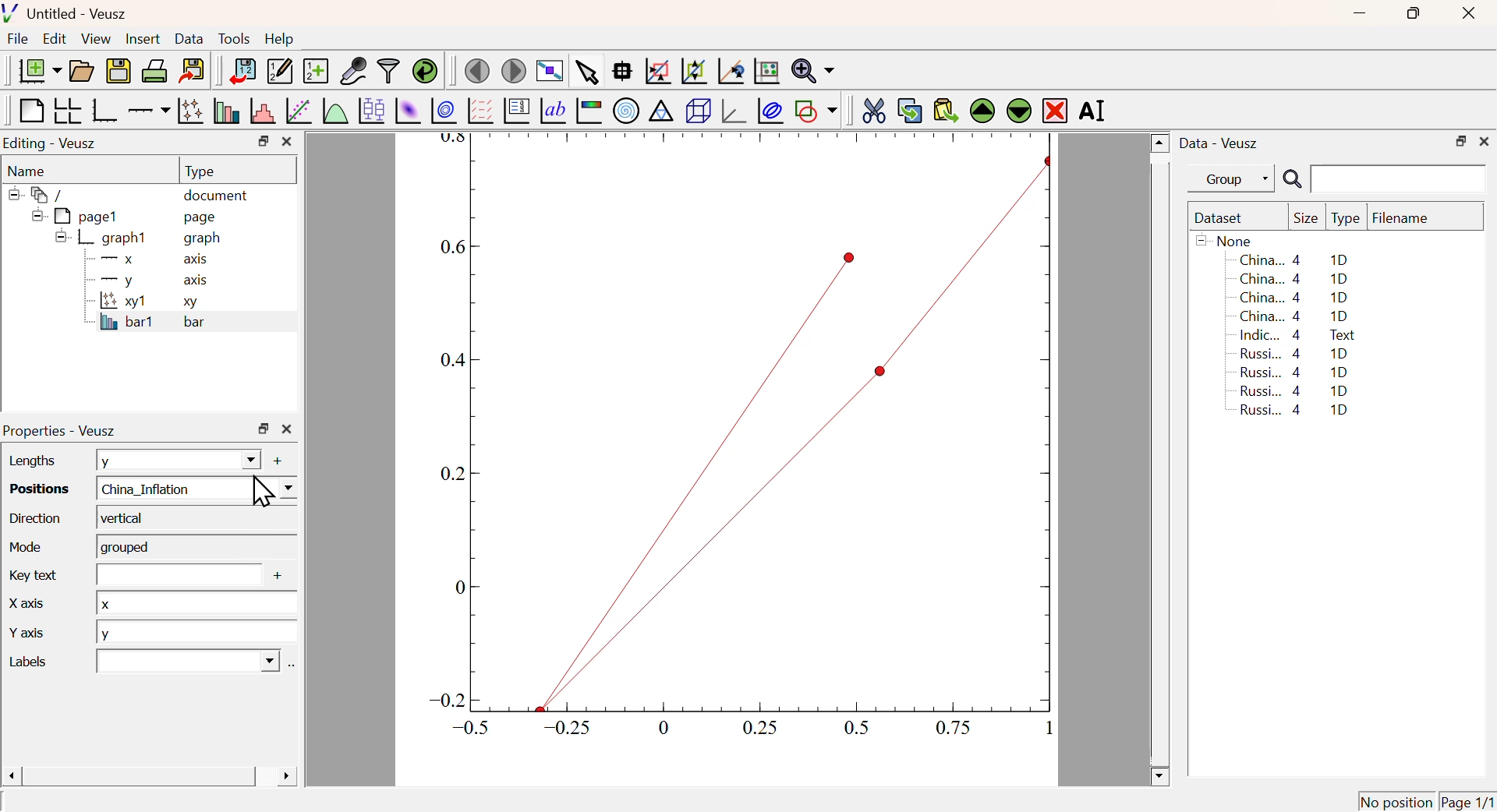  I want to click on Restore Down, so click(1460, 142).